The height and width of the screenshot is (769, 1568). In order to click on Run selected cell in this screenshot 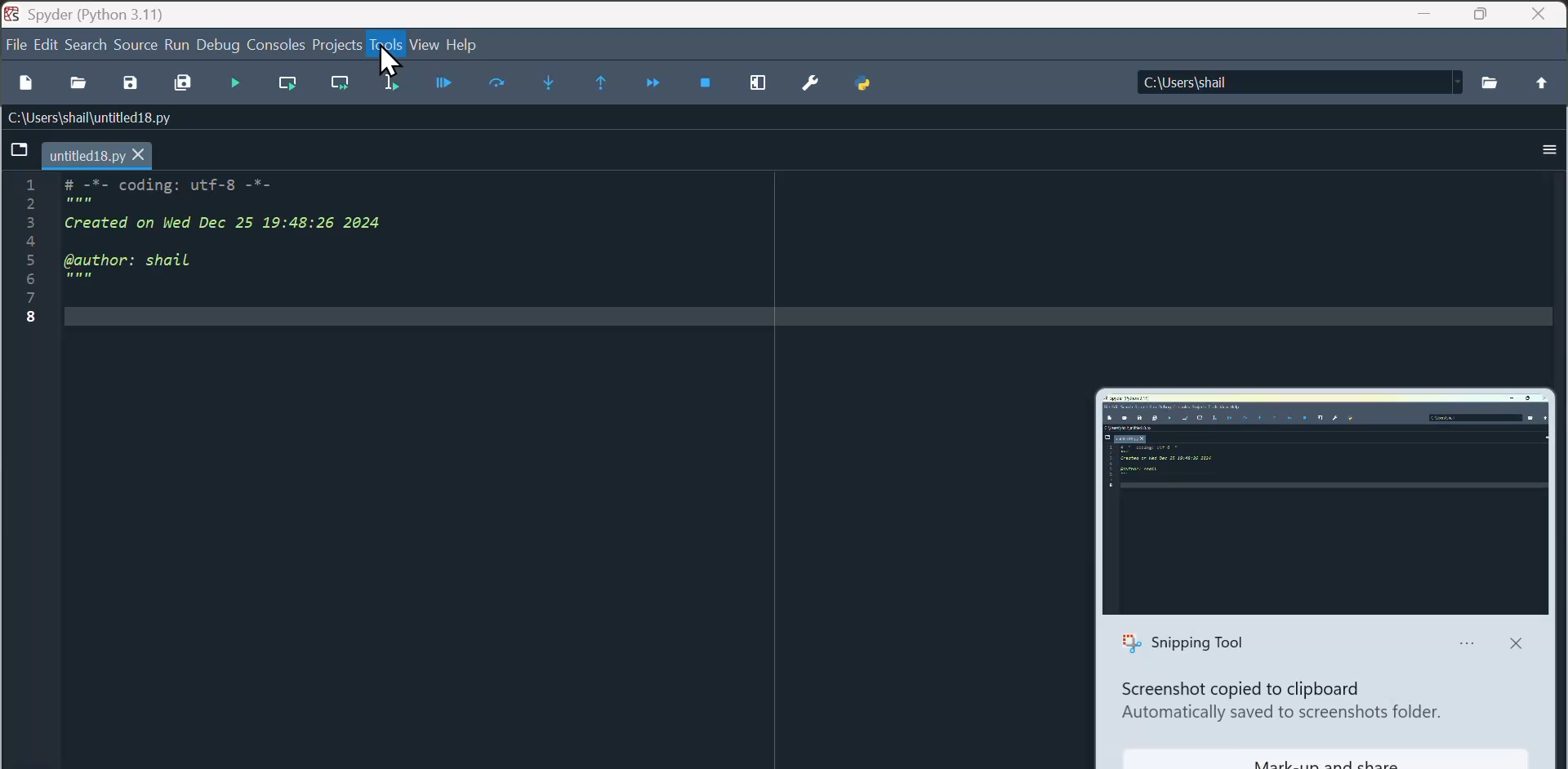, I will do `click(388, 87)`.